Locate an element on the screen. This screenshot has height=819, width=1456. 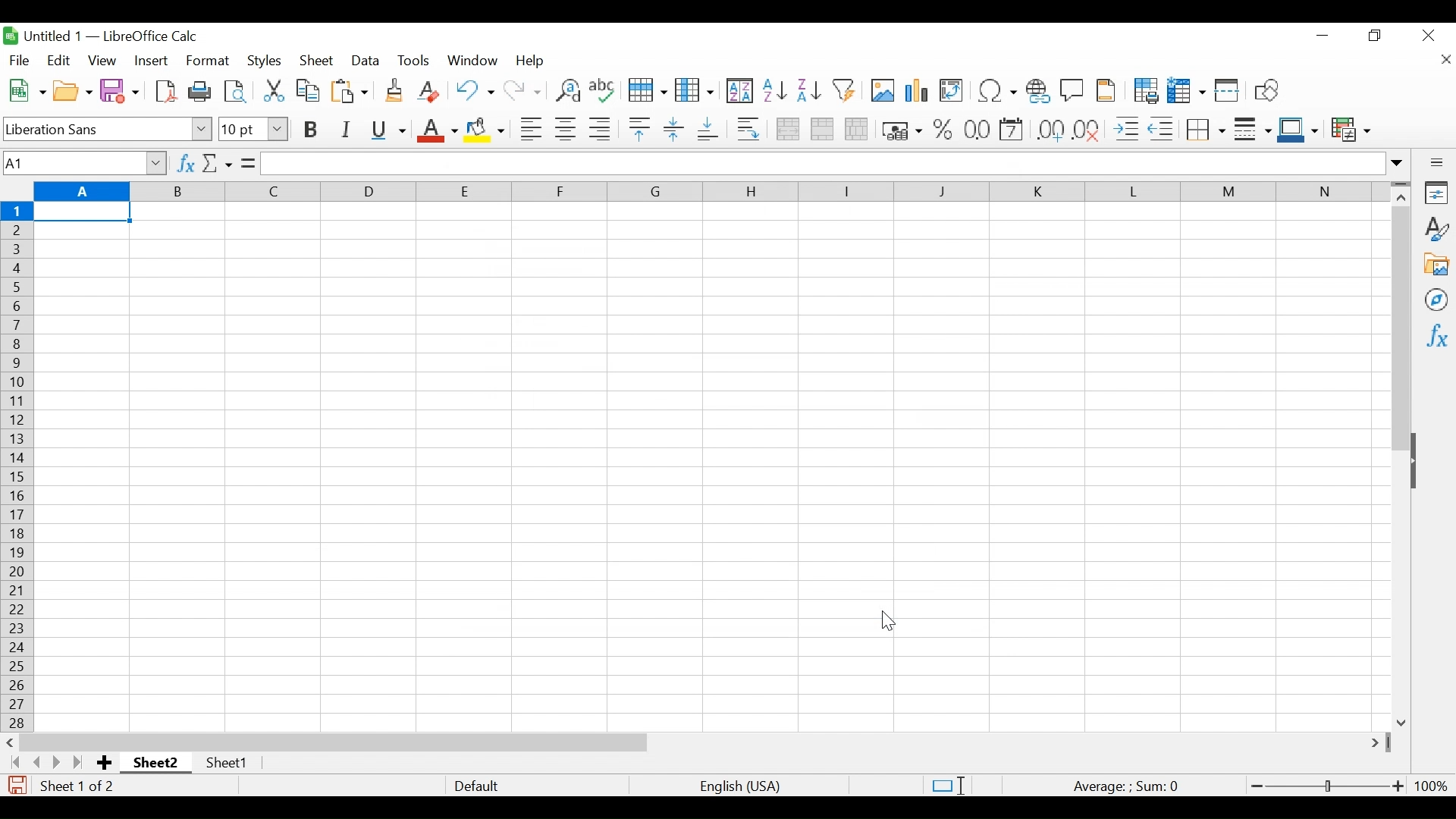
Sheet is located at coordinates (318, 61).